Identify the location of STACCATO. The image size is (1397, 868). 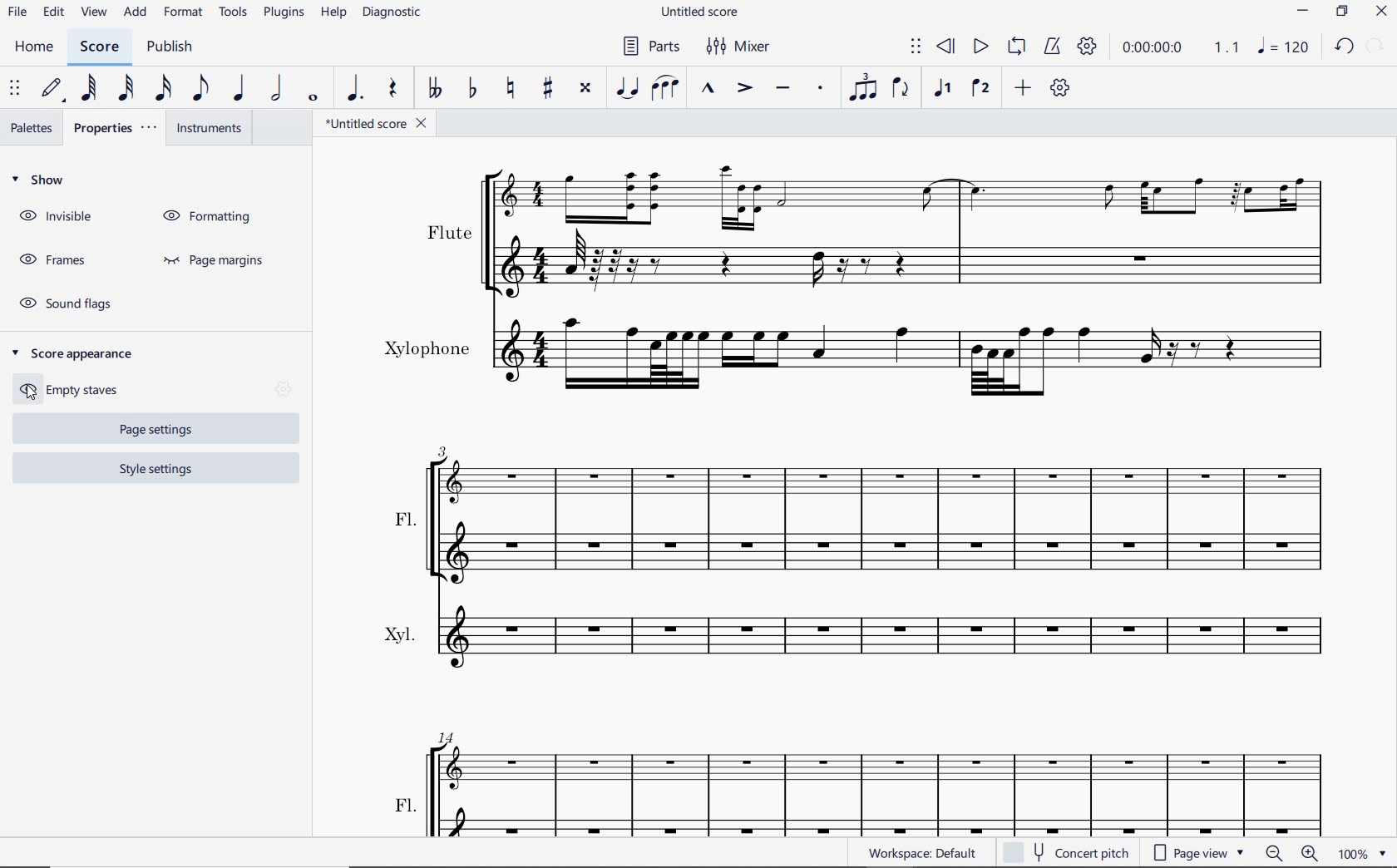
(820, 88).